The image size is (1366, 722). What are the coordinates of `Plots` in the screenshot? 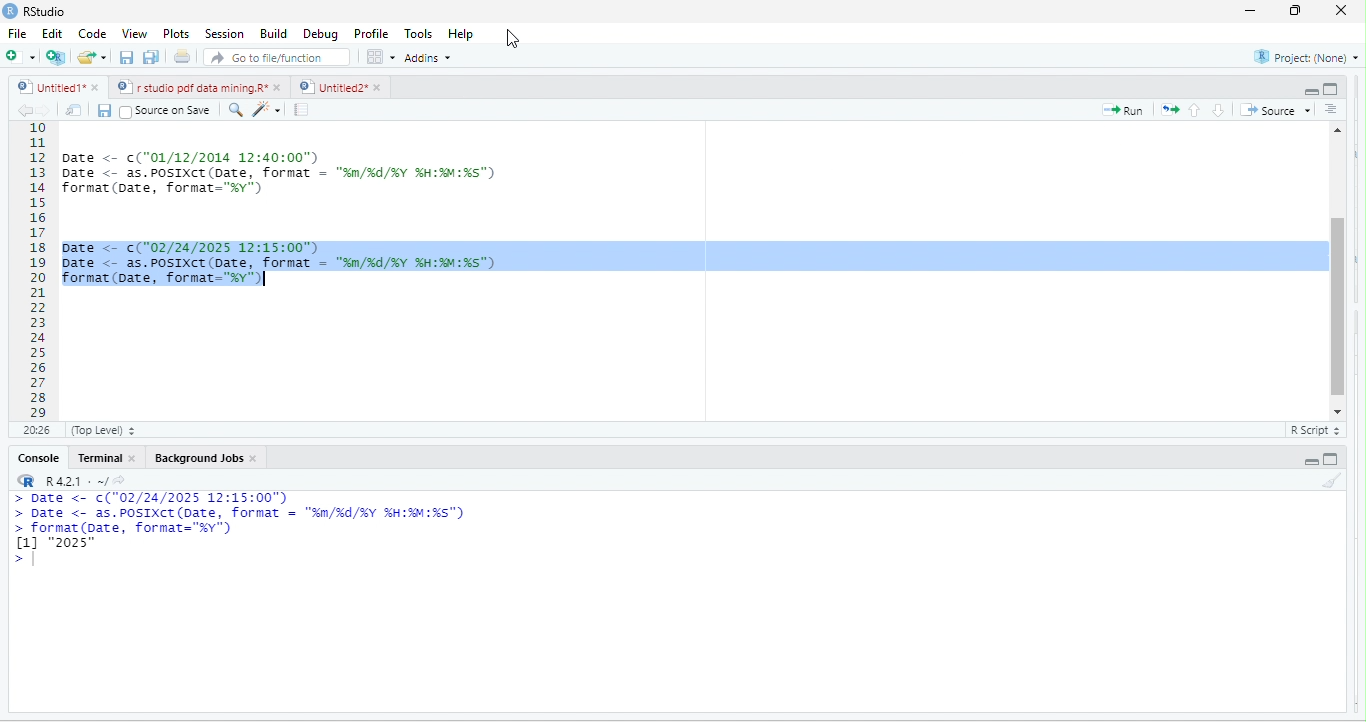 It's located at (176, 35).